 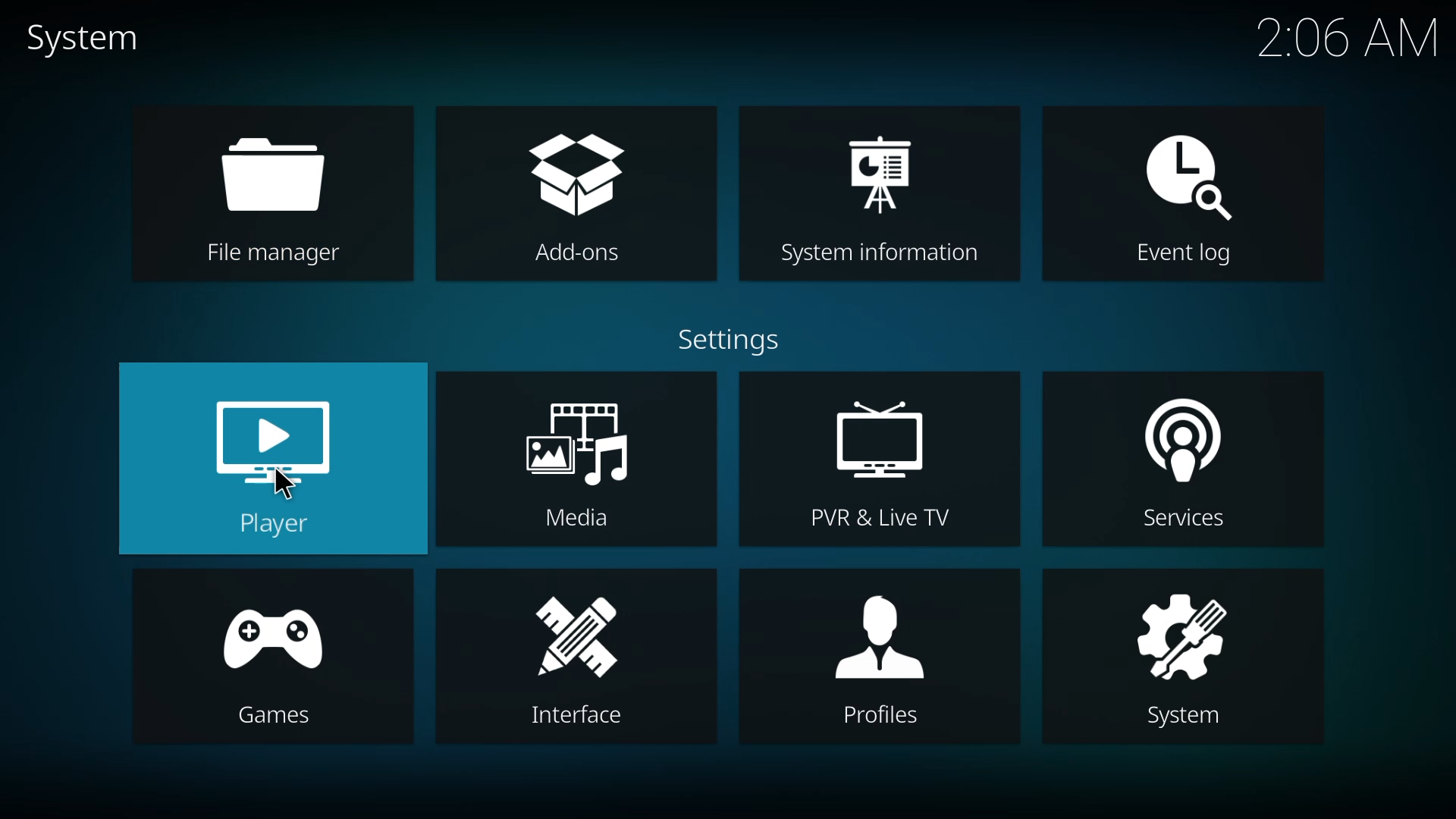 What do you see at coordinates (576, 464) in the screenshot?
I see `media` at bounding box center [576, 464].